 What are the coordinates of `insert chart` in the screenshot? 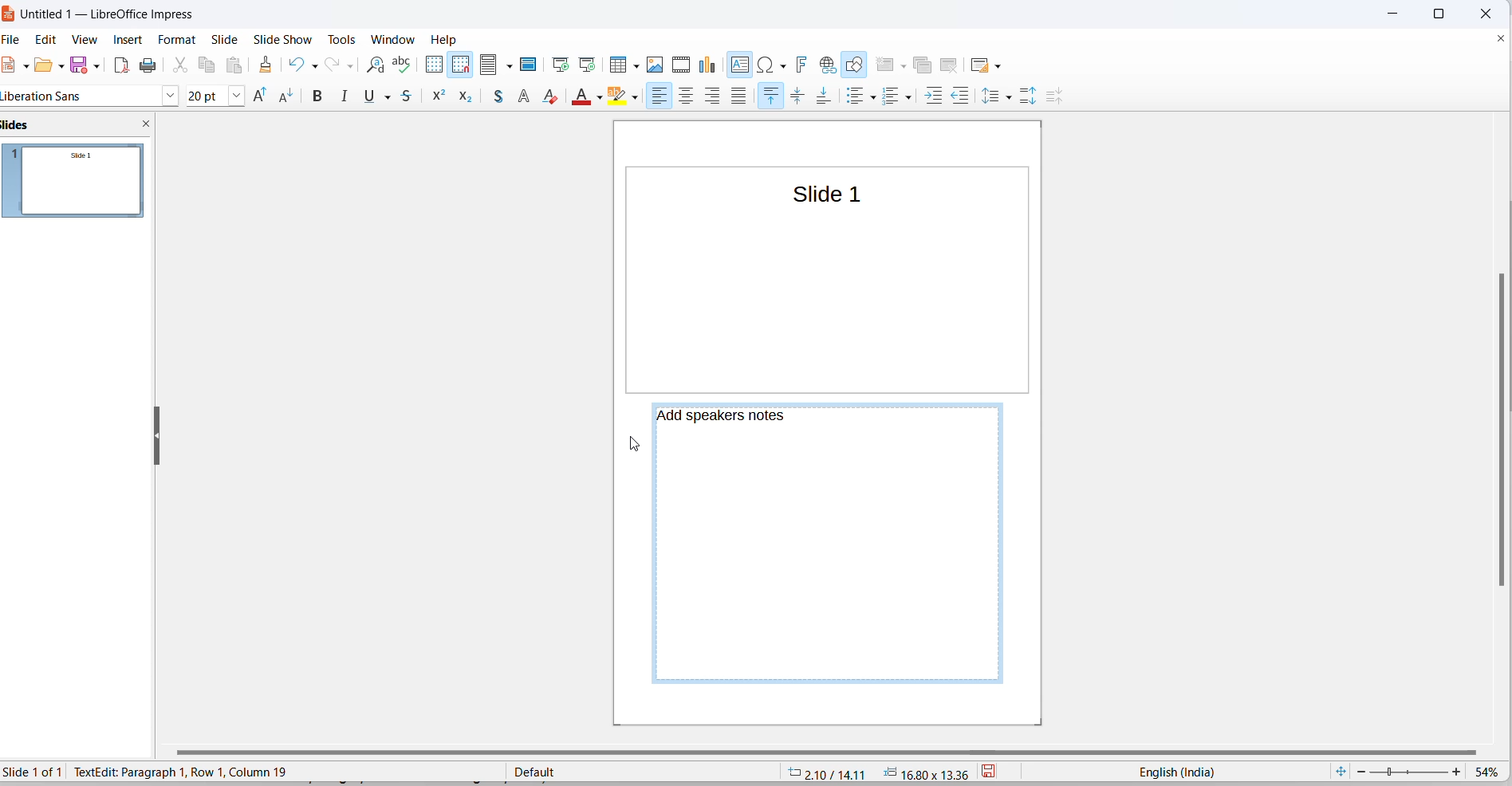 It's located at (711, 66).